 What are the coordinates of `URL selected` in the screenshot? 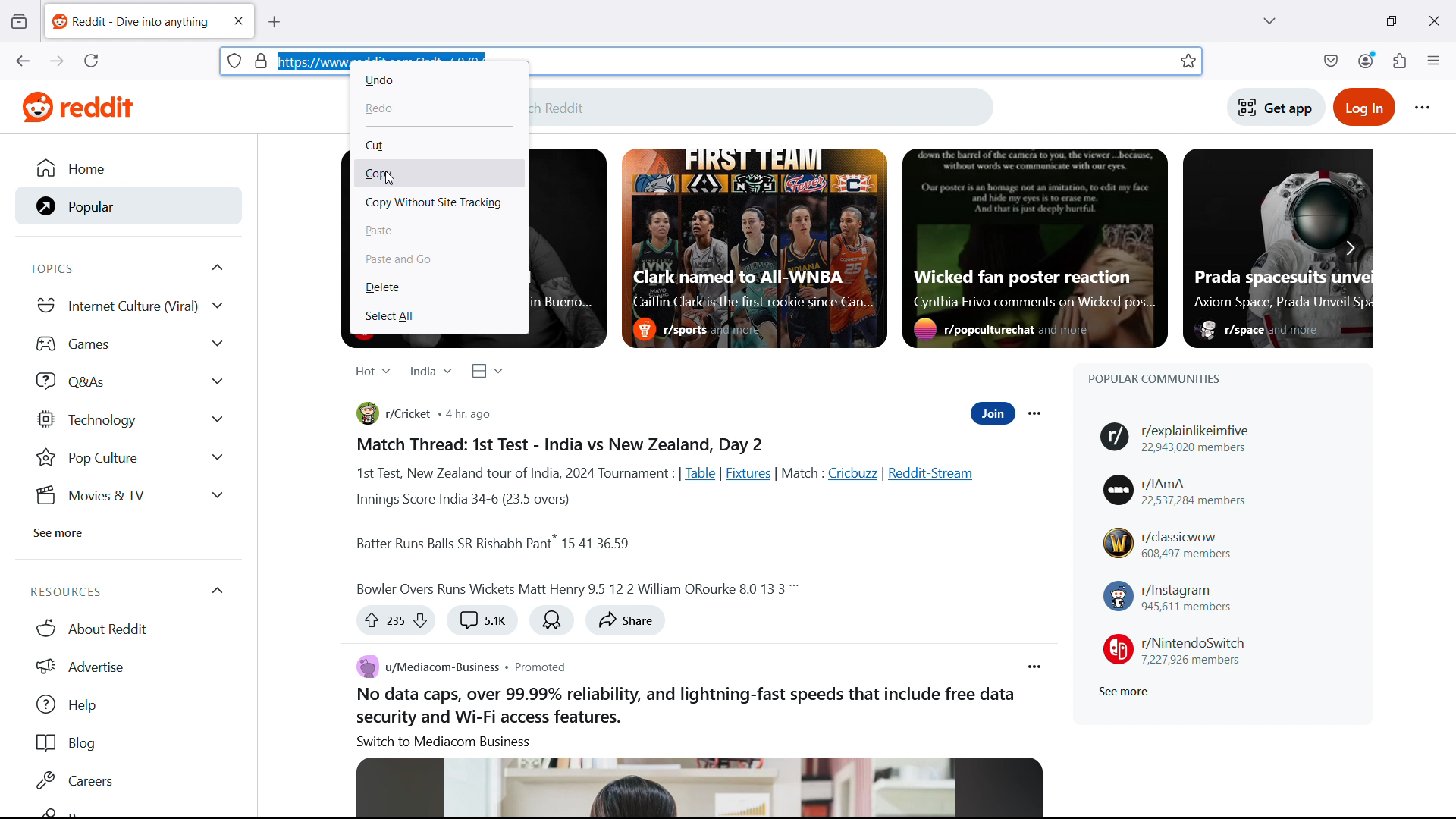 It's located at (382, 61).